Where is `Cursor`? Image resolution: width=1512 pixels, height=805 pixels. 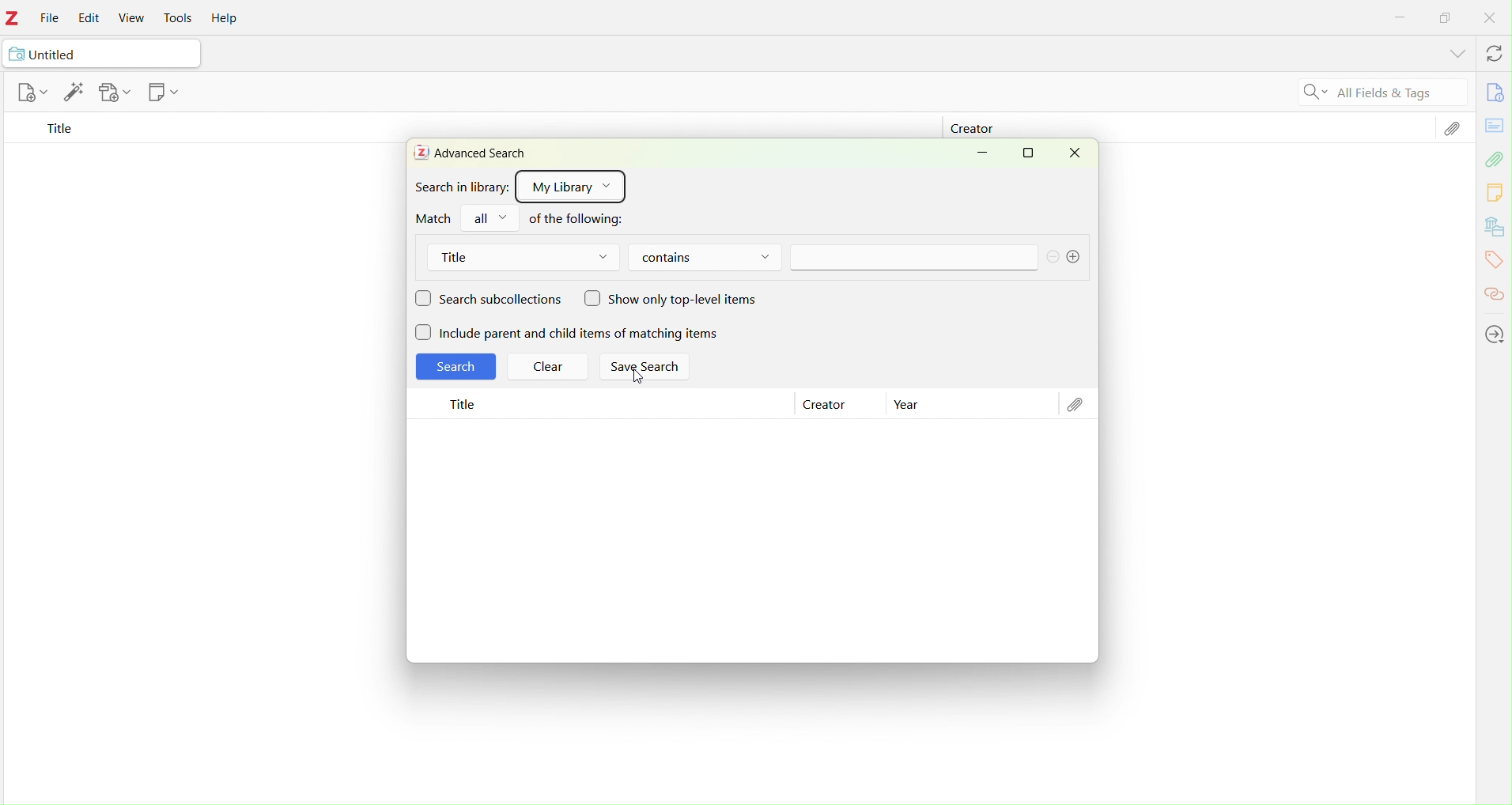
Cursor is located at coordinates (633, 381).